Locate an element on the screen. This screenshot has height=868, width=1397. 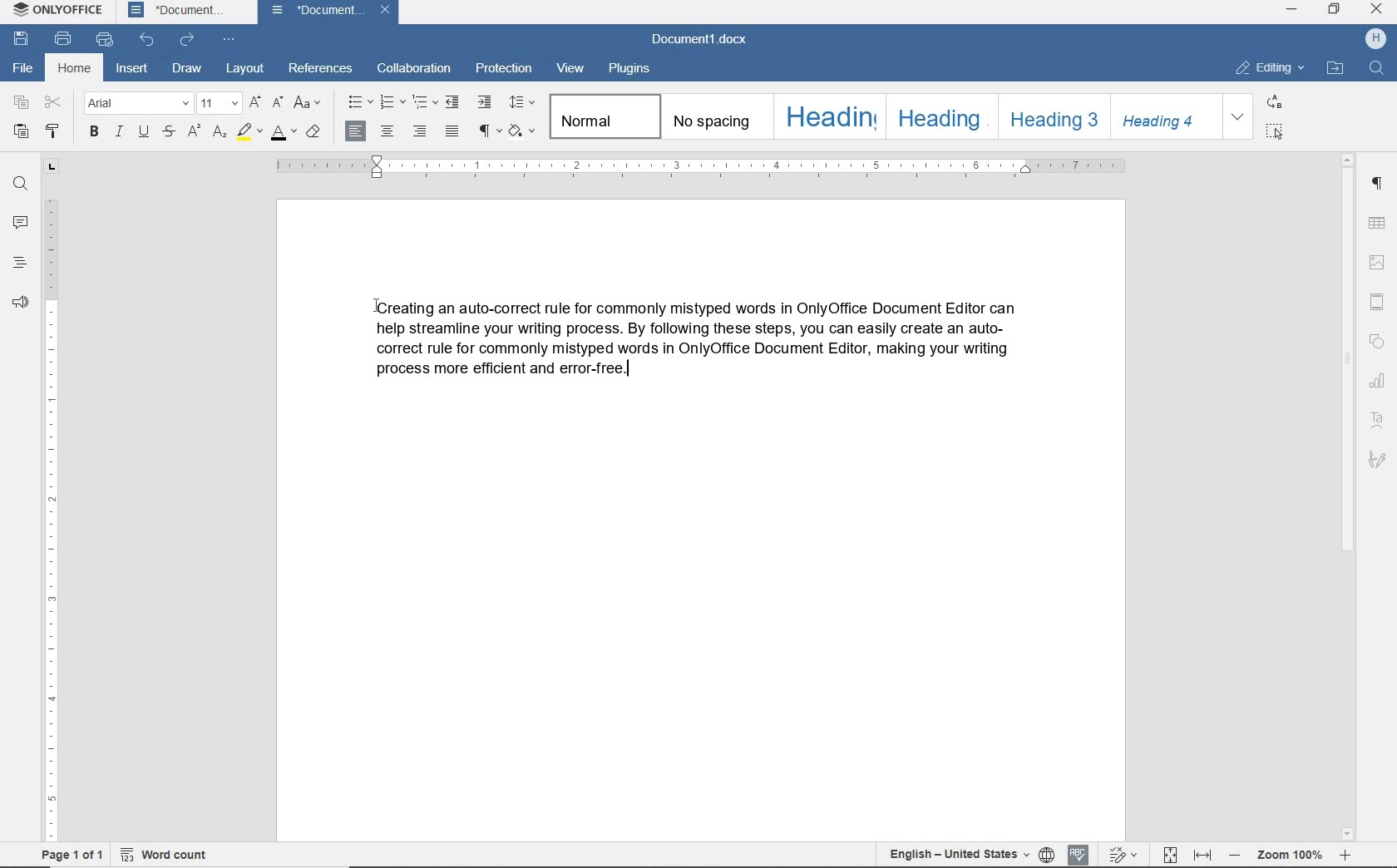
plugins is located at coordinates (631, 70).